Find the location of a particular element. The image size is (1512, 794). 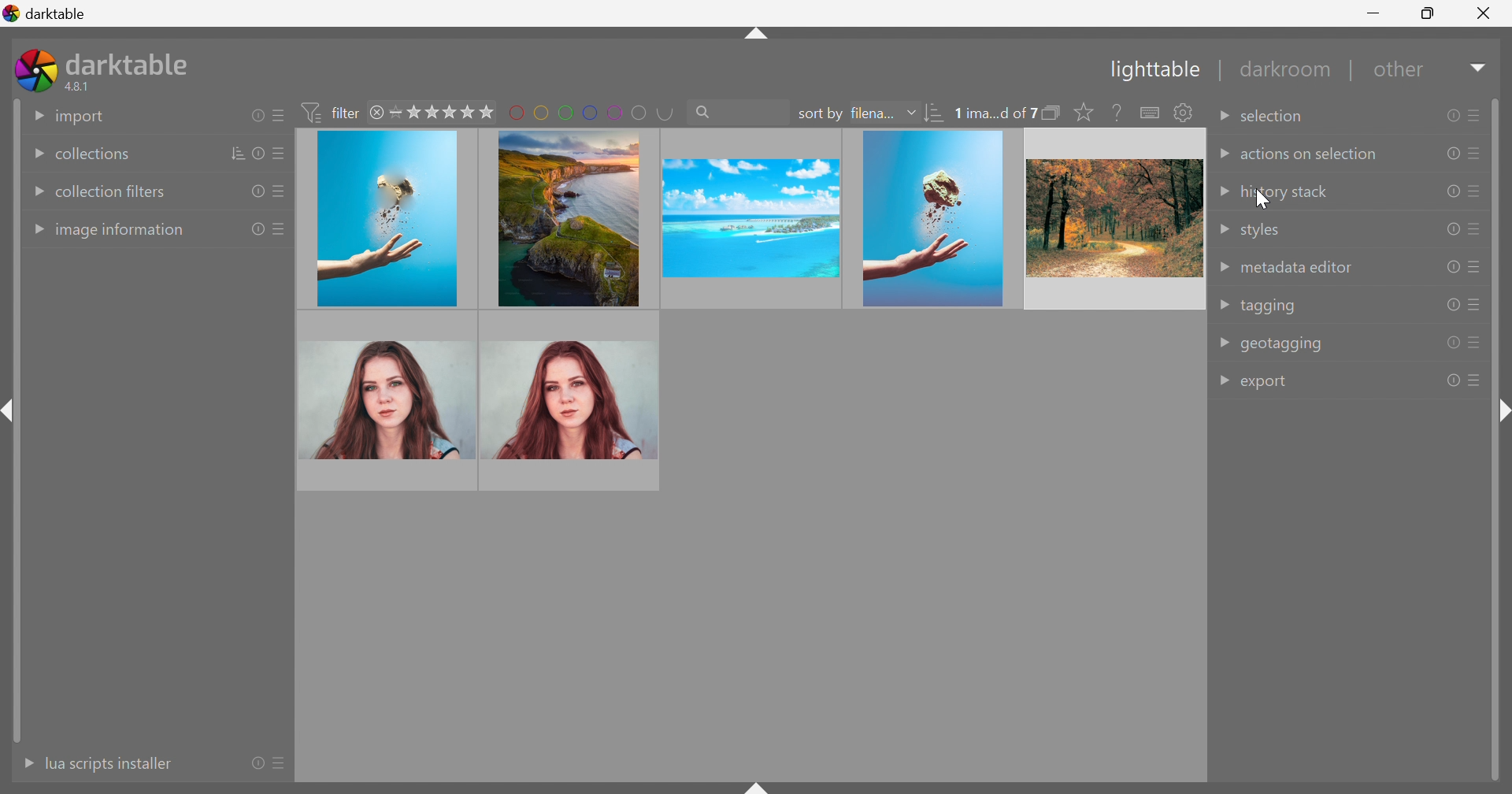

reset is located at coordinates (1449, 153).